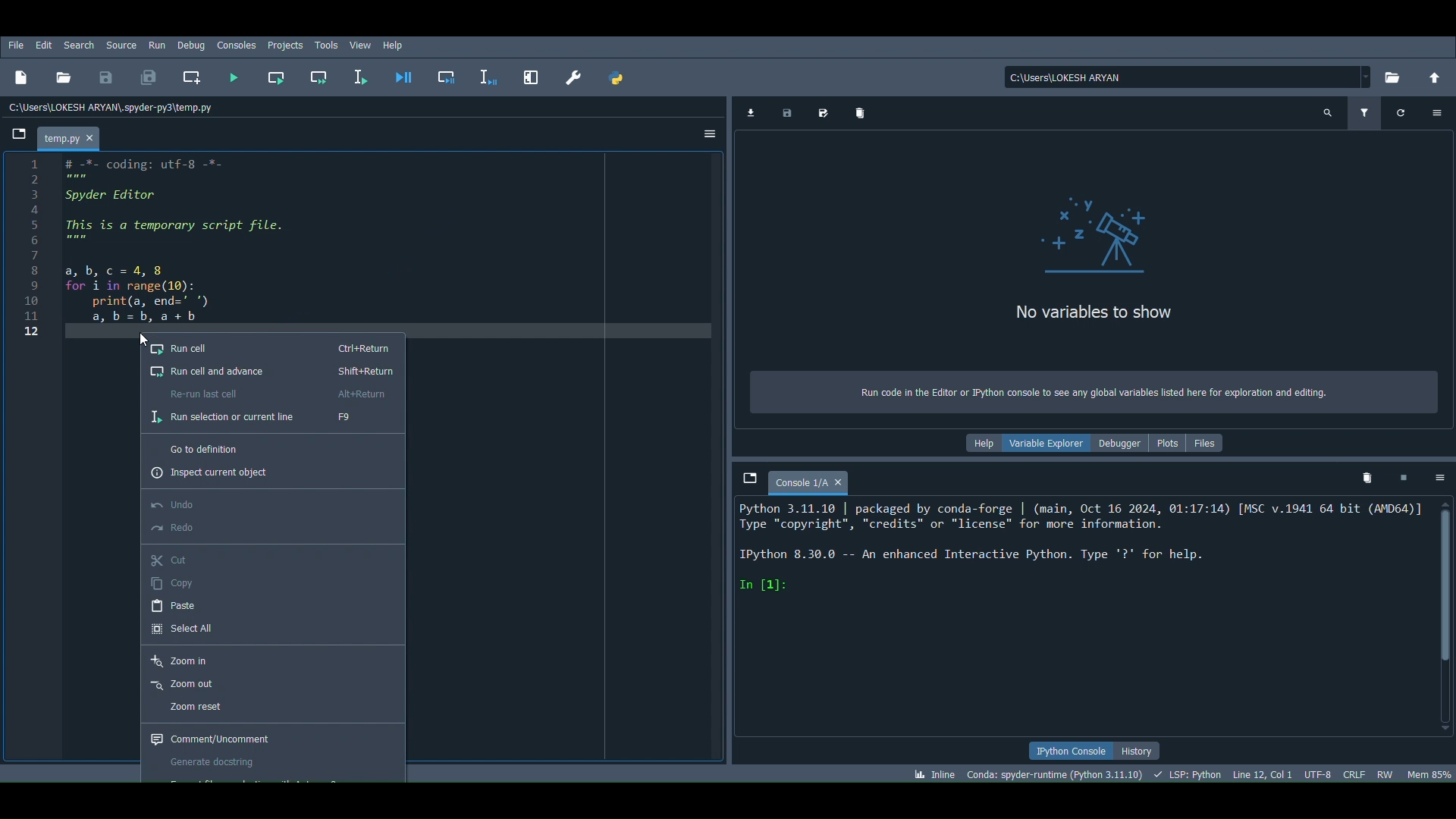  Describe the element at coordinates (532, 77) in the screenshot. I see `Maximize current pane (Ctrl + Alt + Shift + M)` at that location.